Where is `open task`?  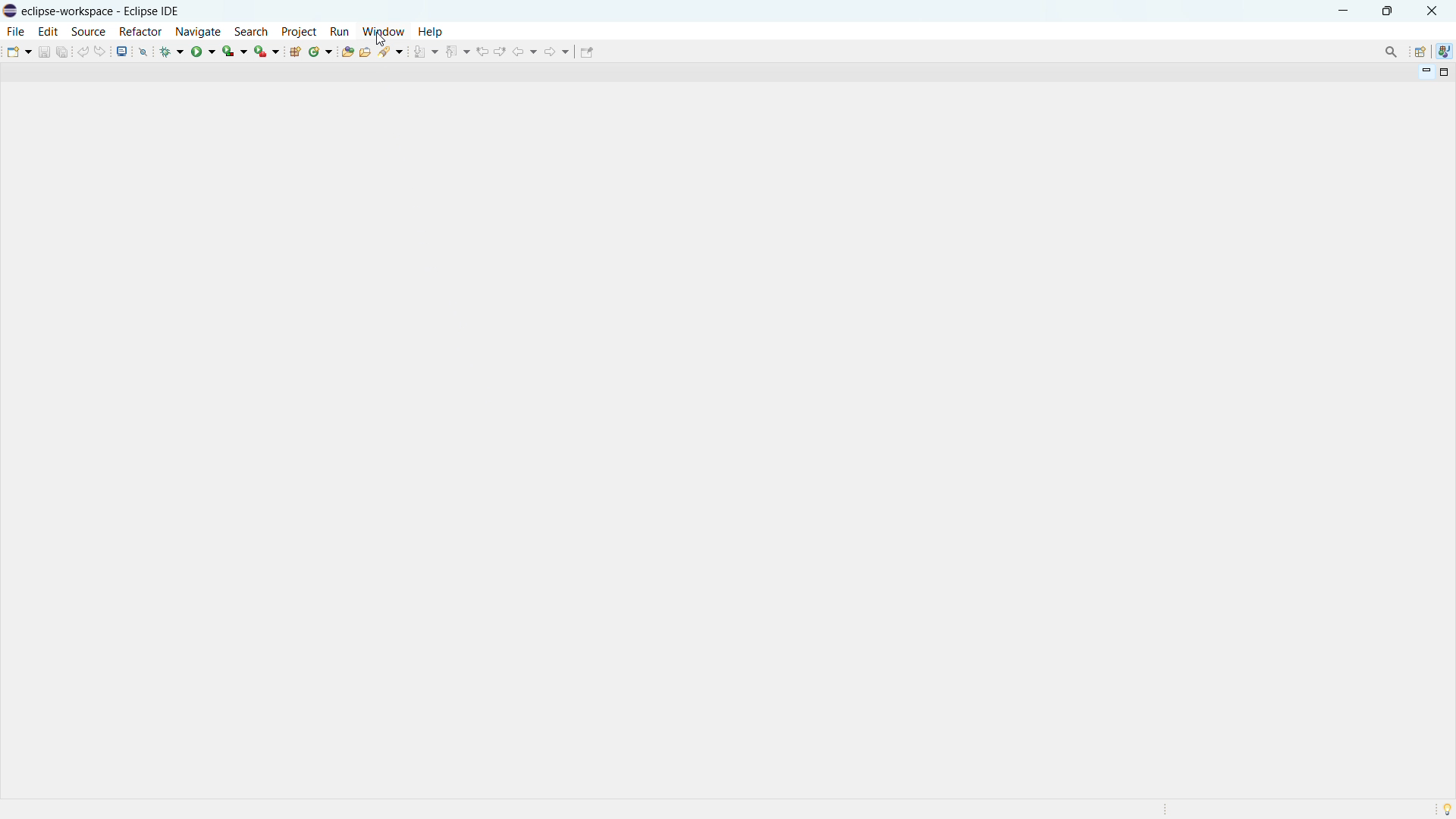
open task is located at coordinates (367, 52).